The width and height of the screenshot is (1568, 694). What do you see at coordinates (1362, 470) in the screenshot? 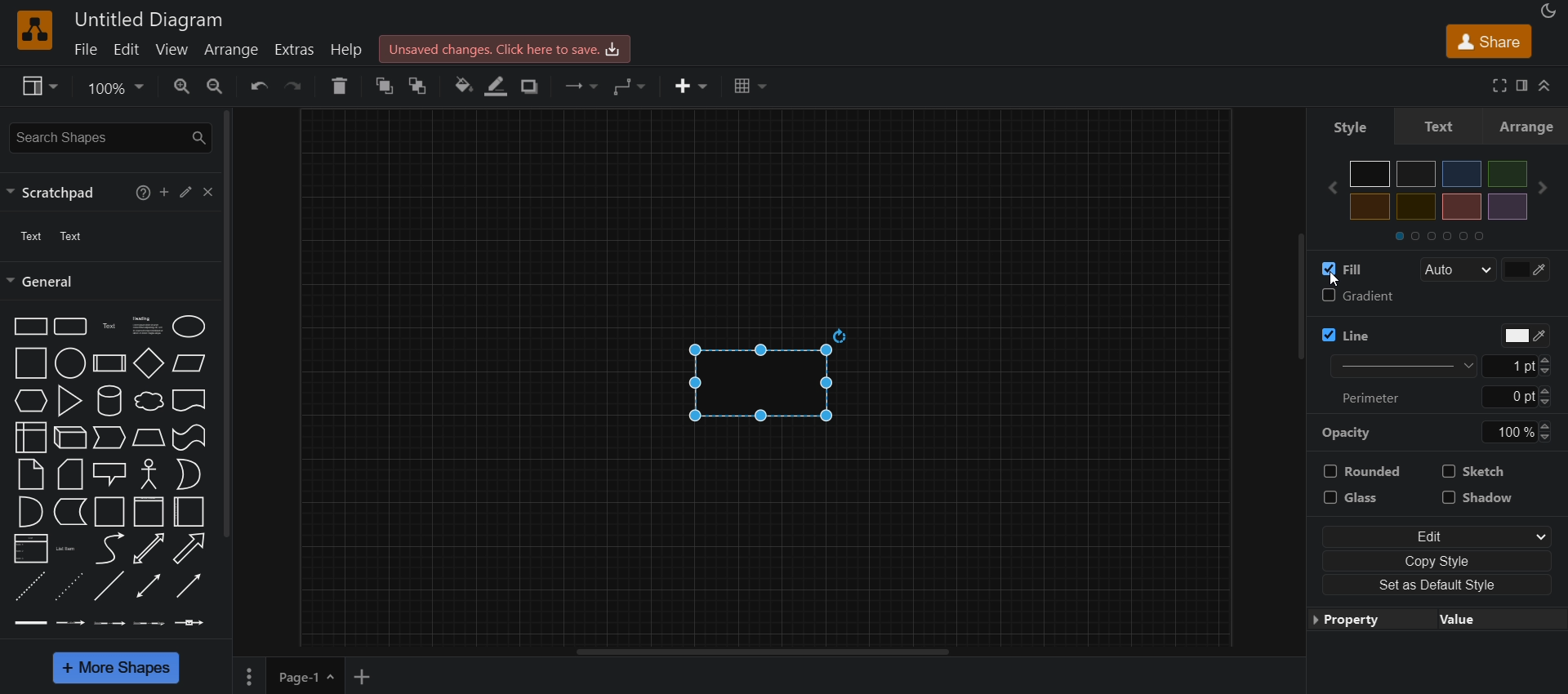
I see `rounded` at bounding box center [1362, 470].